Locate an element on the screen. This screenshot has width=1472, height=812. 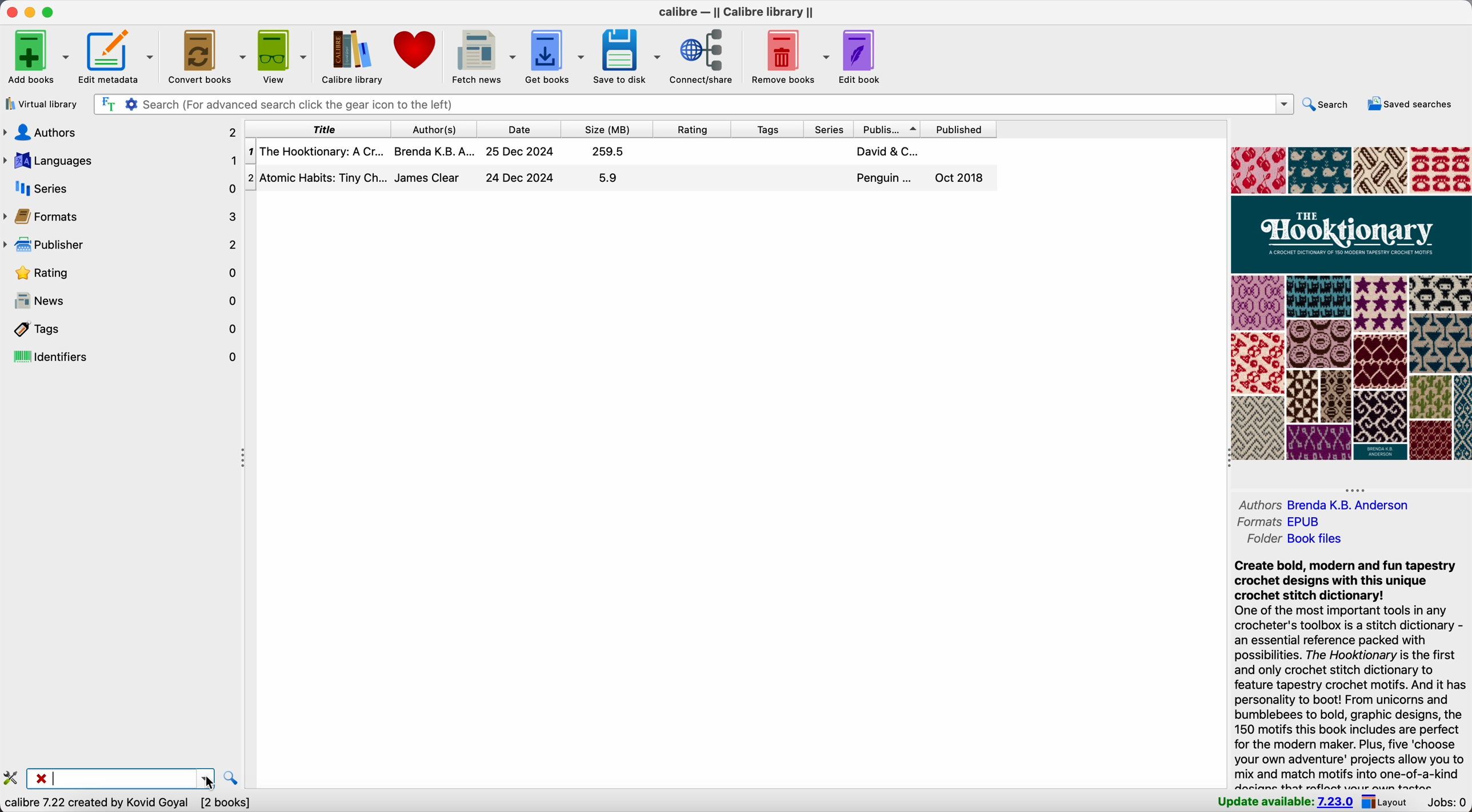
authors is located at coordinates (122, 131).